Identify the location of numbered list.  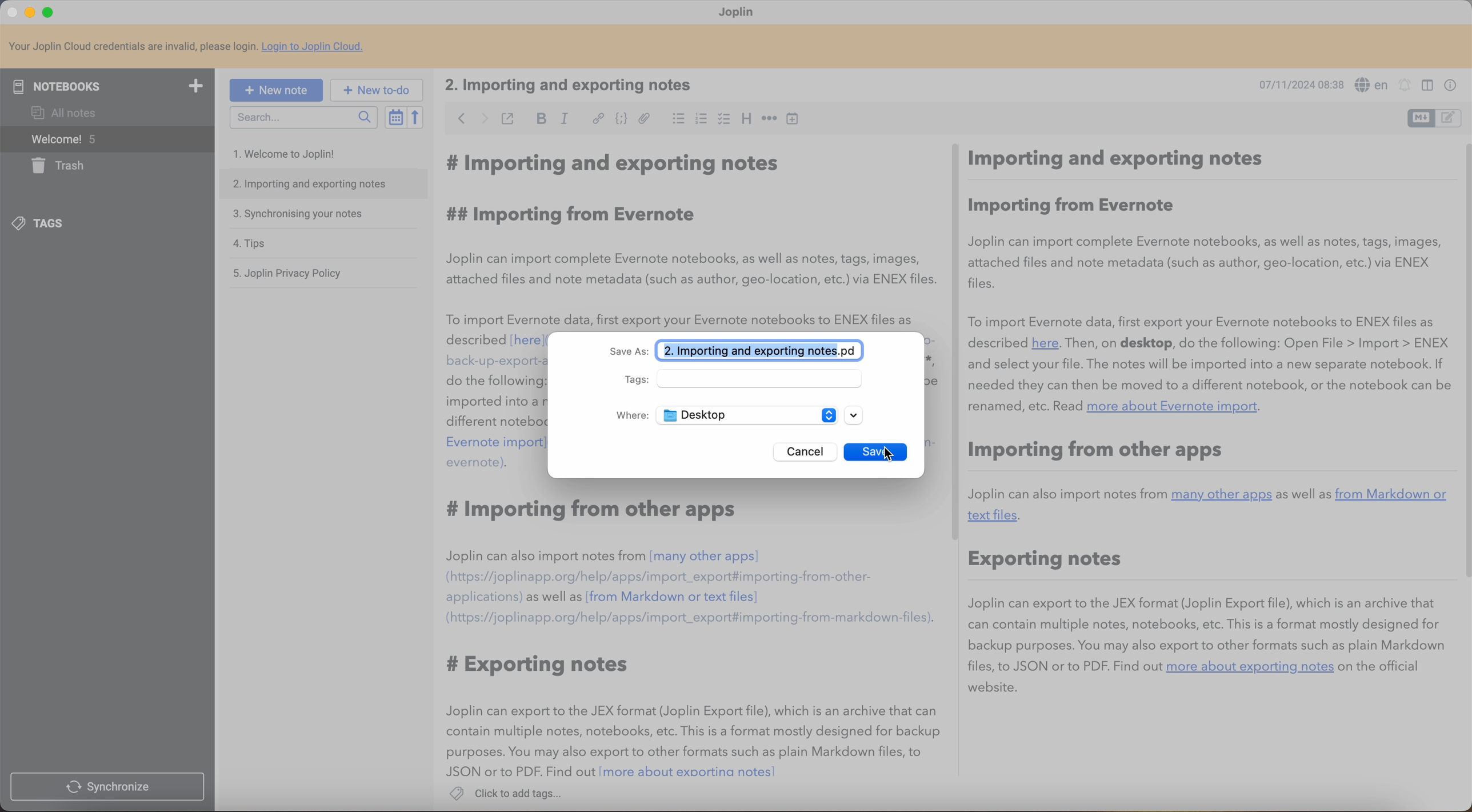
(700, 121).